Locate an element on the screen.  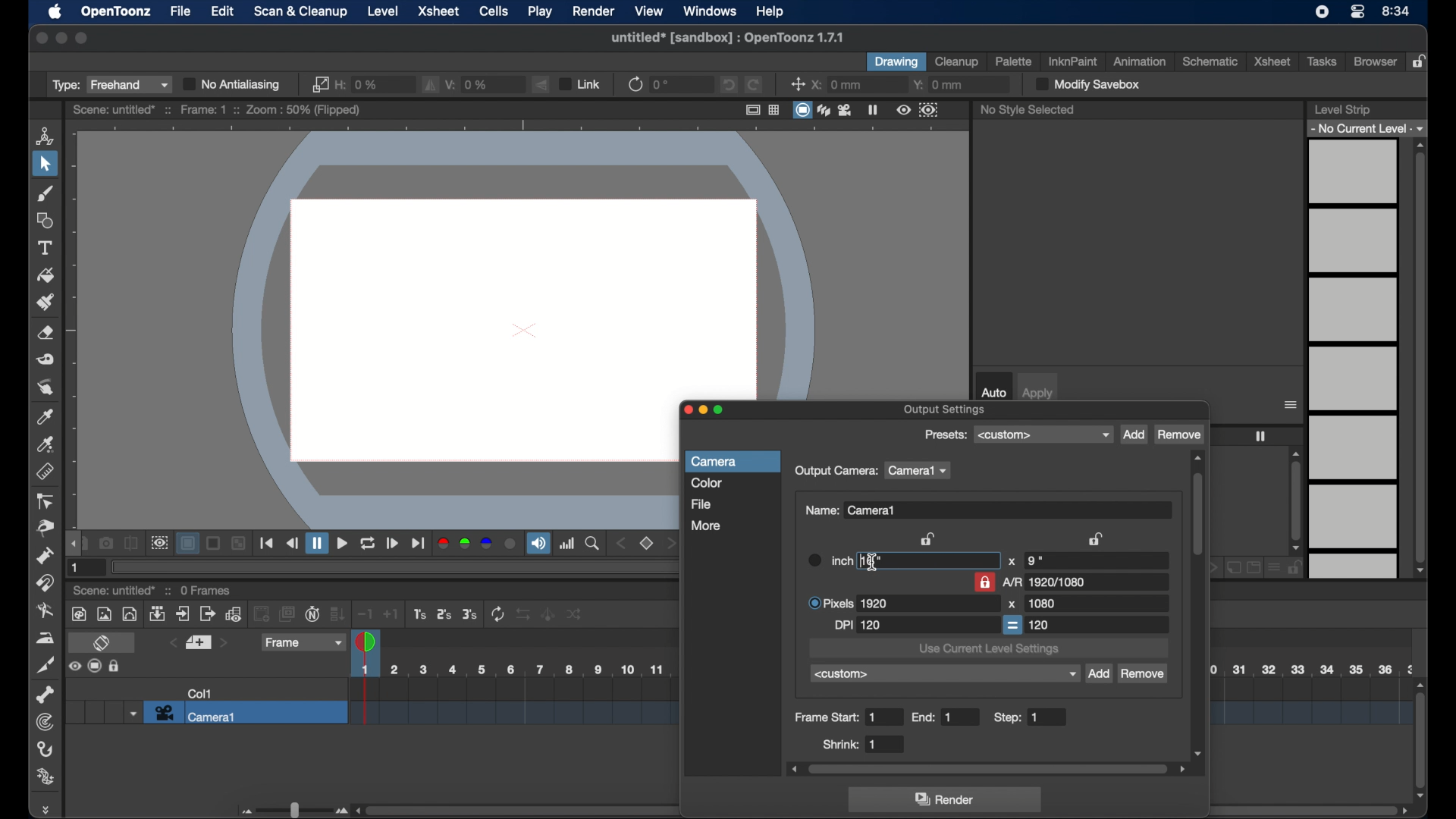
 is located at coordinates (184, 615).